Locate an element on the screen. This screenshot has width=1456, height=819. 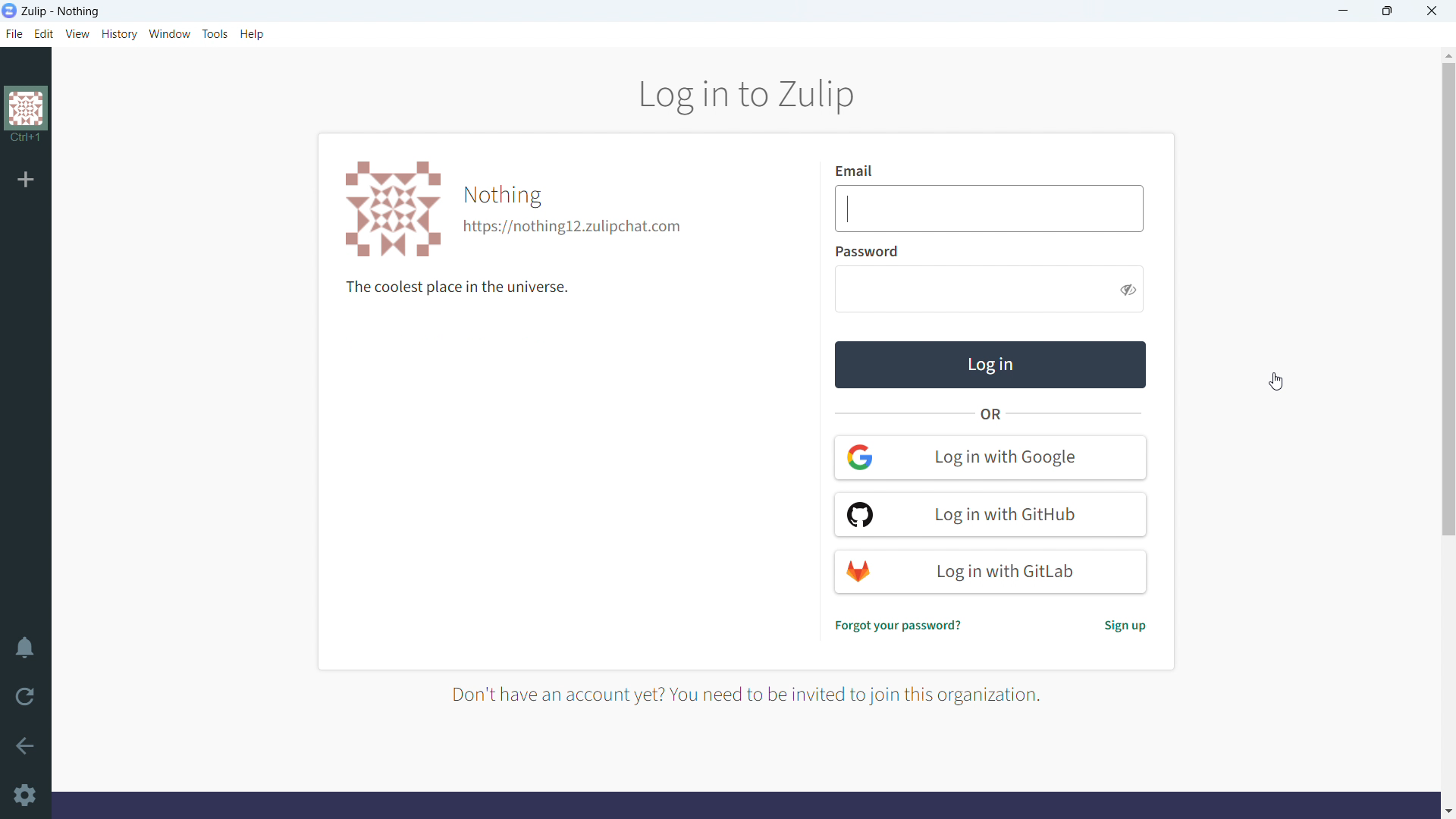
tools is located at coordinates (215, 33).